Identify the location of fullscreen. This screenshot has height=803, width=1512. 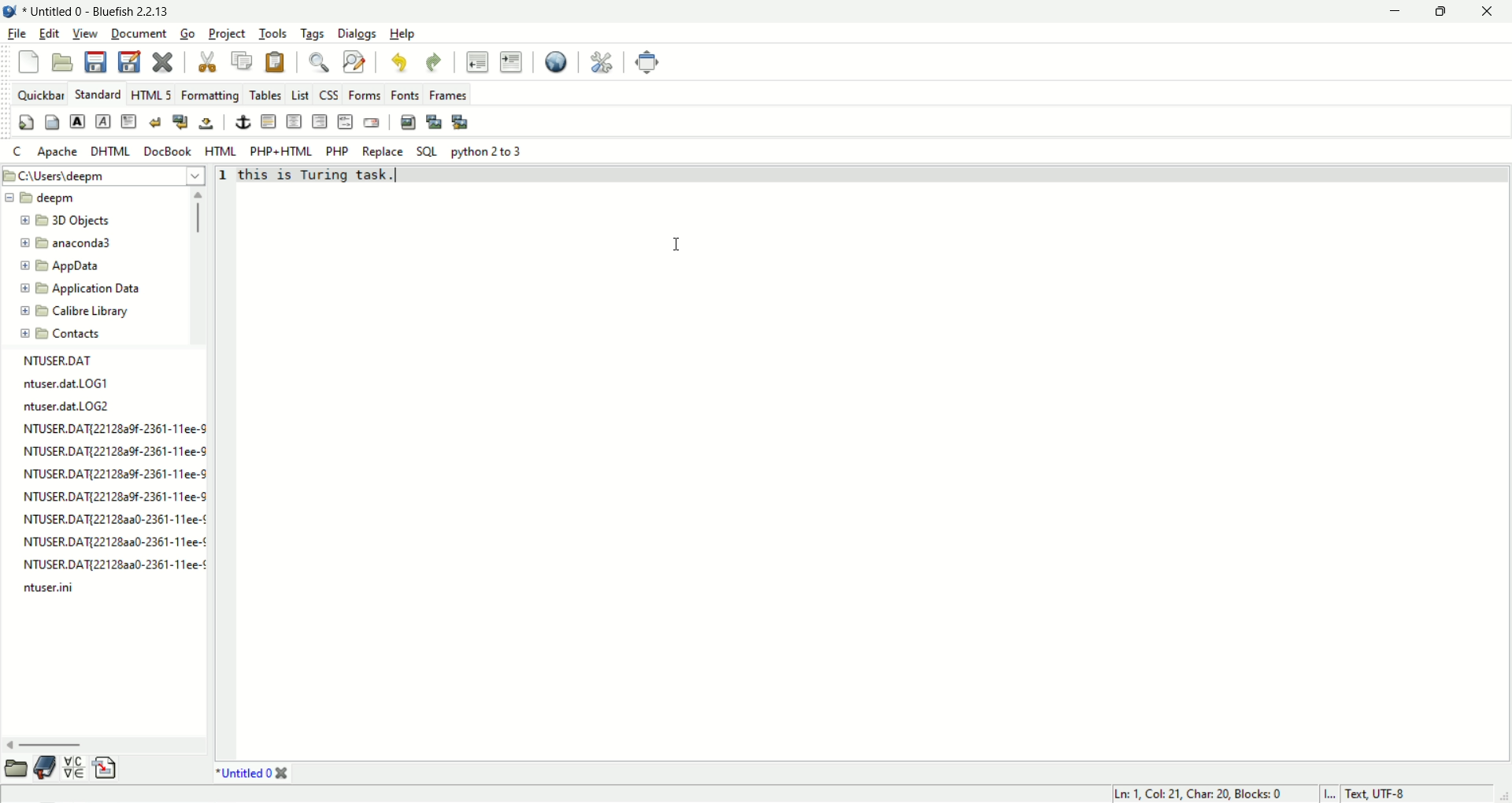
(648, 62).